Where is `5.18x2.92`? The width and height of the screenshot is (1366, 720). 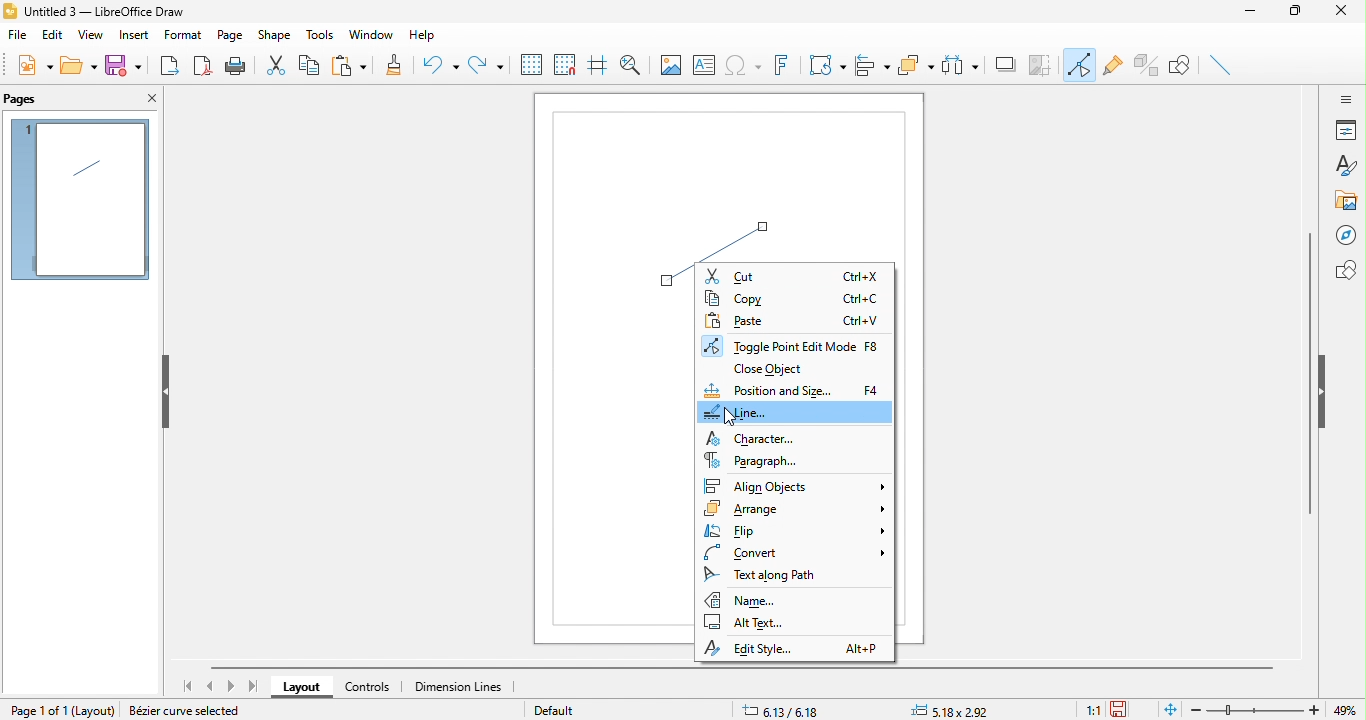
5.18x2.92 is located at coordinates (955, 709).